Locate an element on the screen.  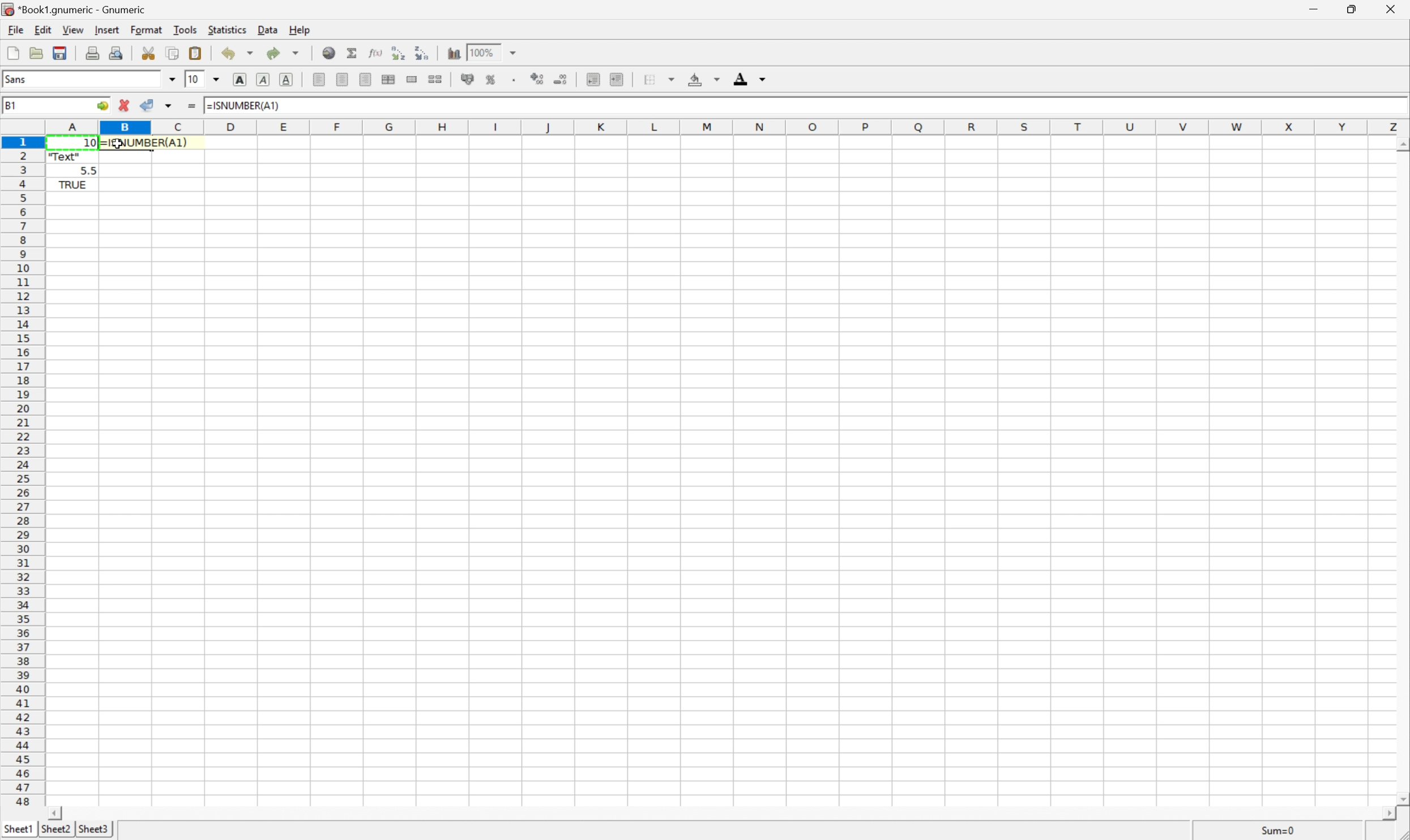
Center Horizontally is located at coordinates (343, 80).